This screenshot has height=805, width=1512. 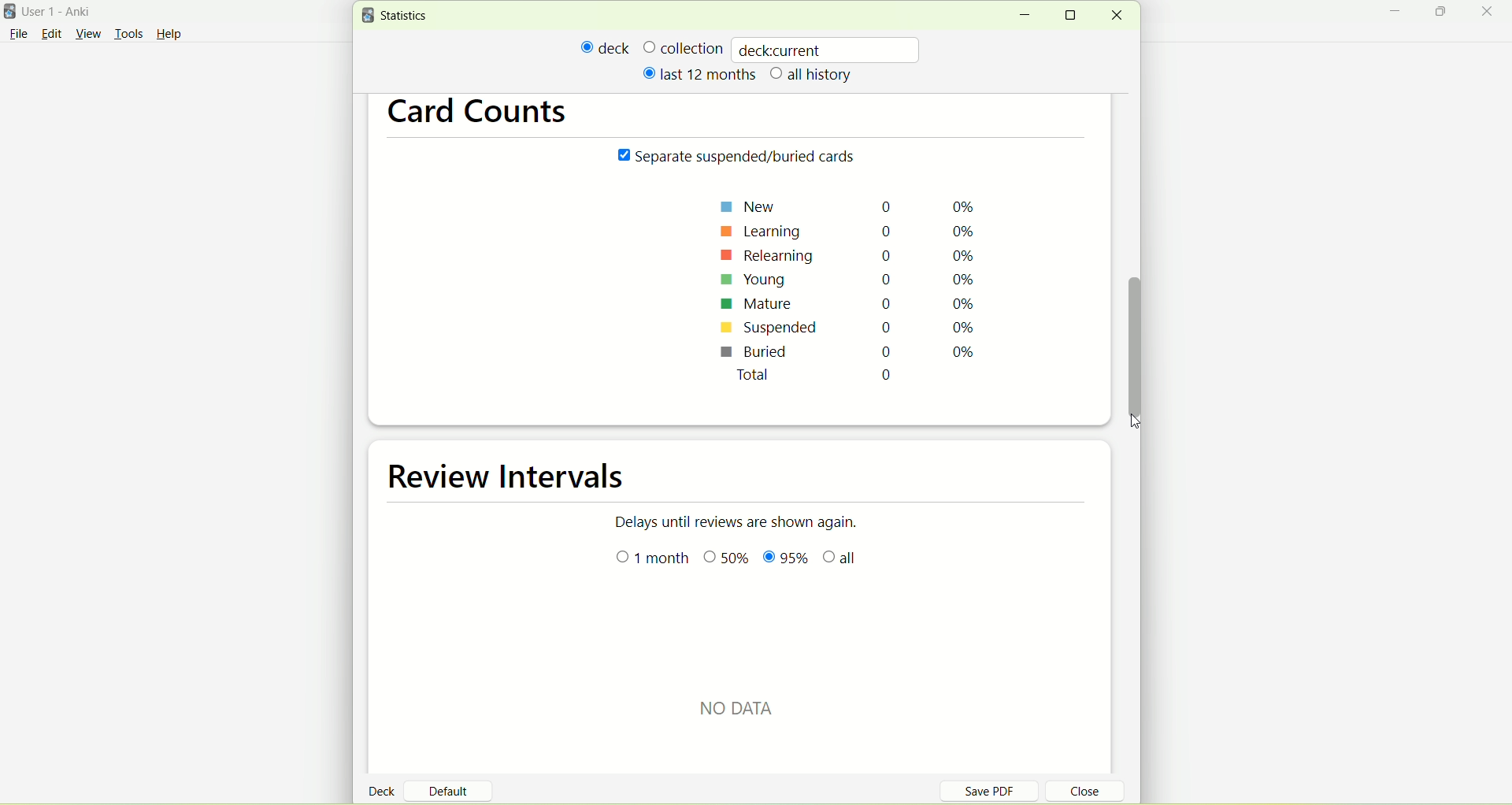 I want to click on close, so click(x=1116, y=16).